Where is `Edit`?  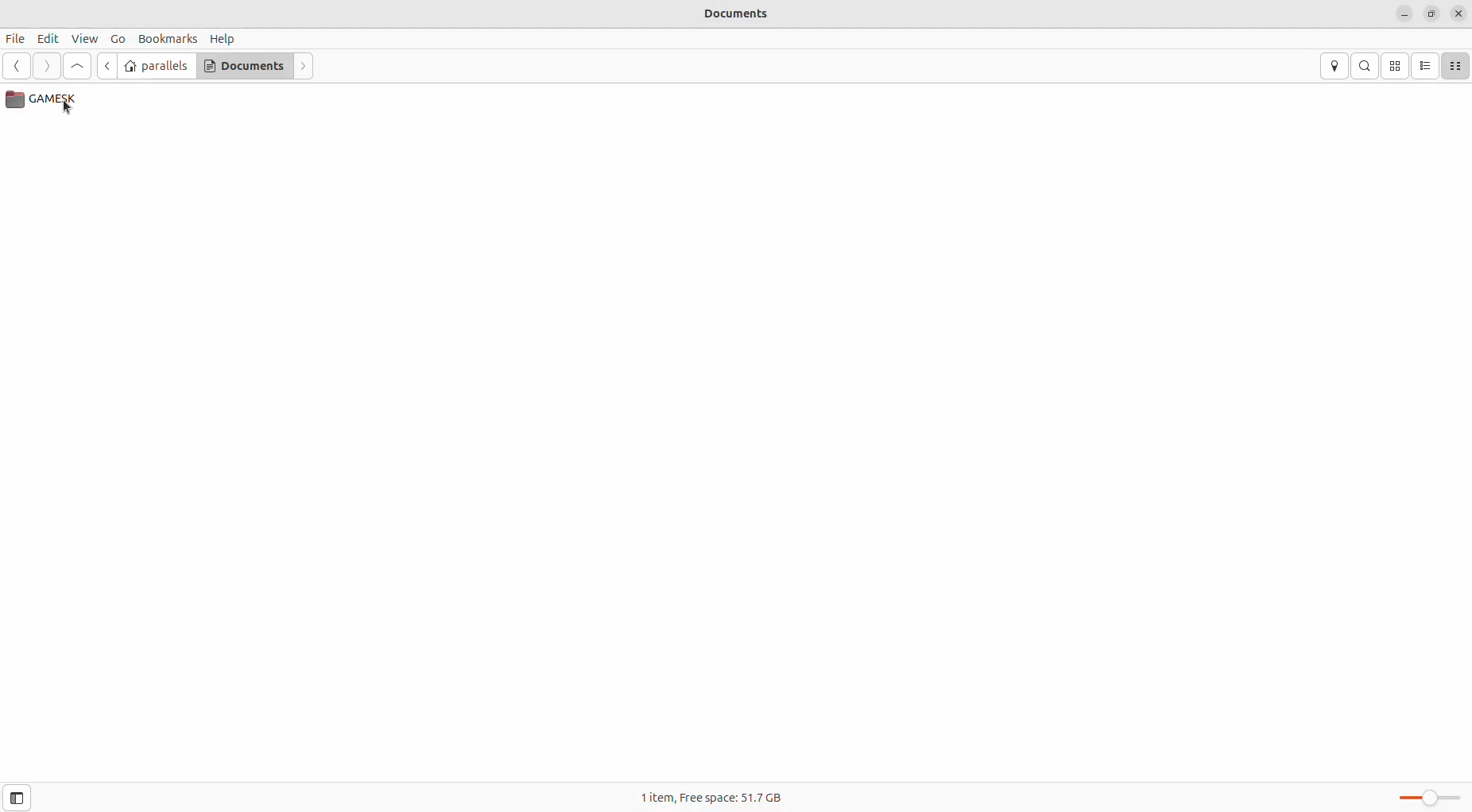 Edit is located at coordinates (49, 40).